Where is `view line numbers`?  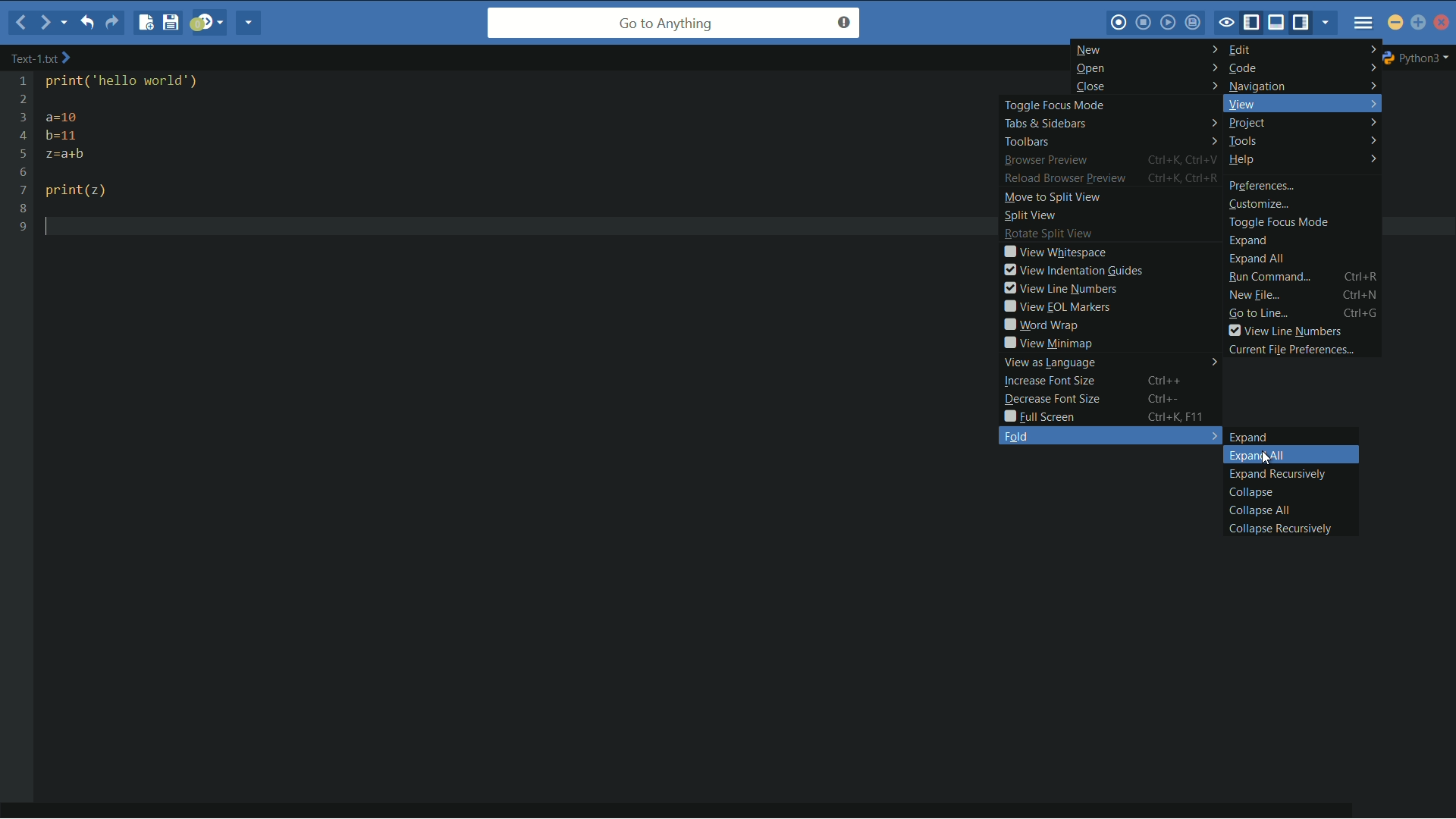
view line numbers is located at coordinates (1285, 331).